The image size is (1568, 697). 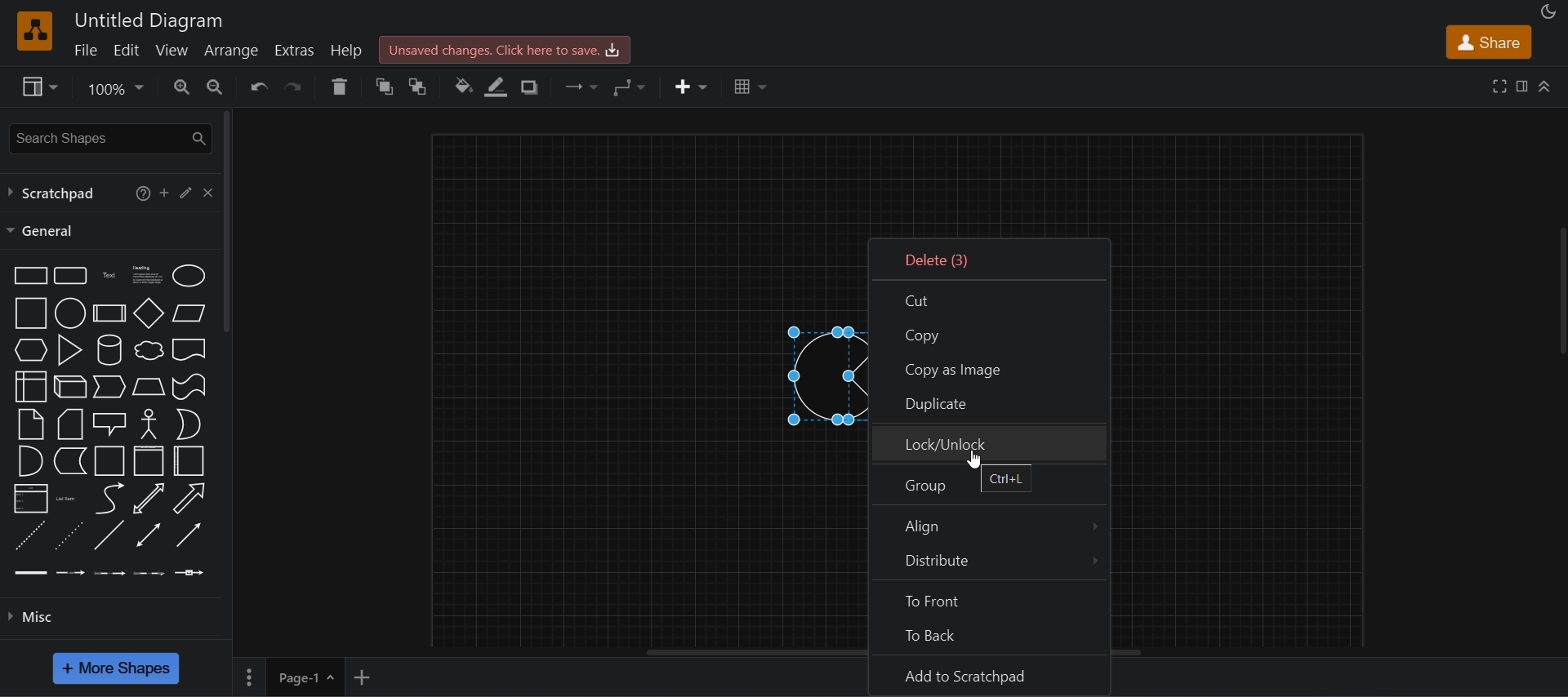 I want to click on misc, so click(x=118, y=615).